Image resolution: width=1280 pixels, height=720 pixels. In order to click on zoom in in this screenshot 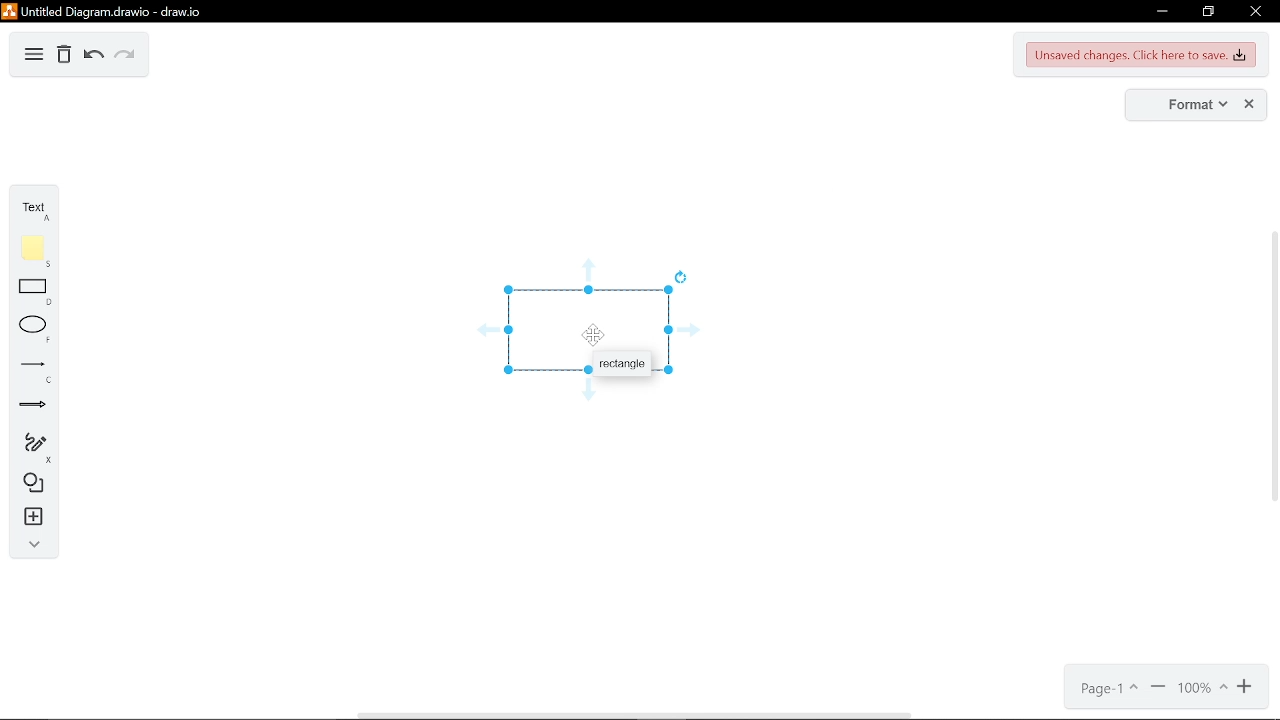, I will do `click(1247, 687)`.